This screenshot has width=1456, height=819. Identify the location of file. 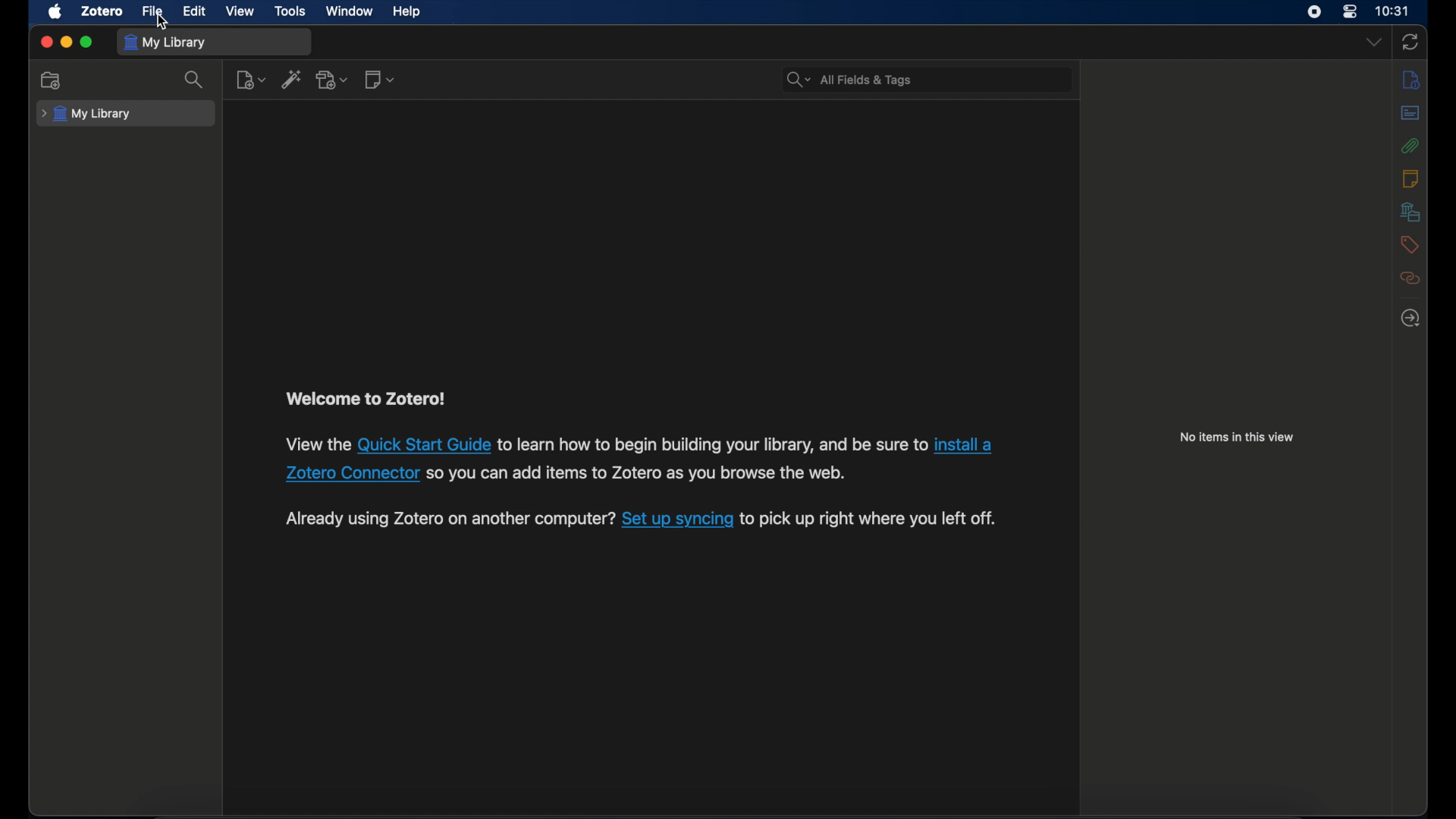
(152, 11).